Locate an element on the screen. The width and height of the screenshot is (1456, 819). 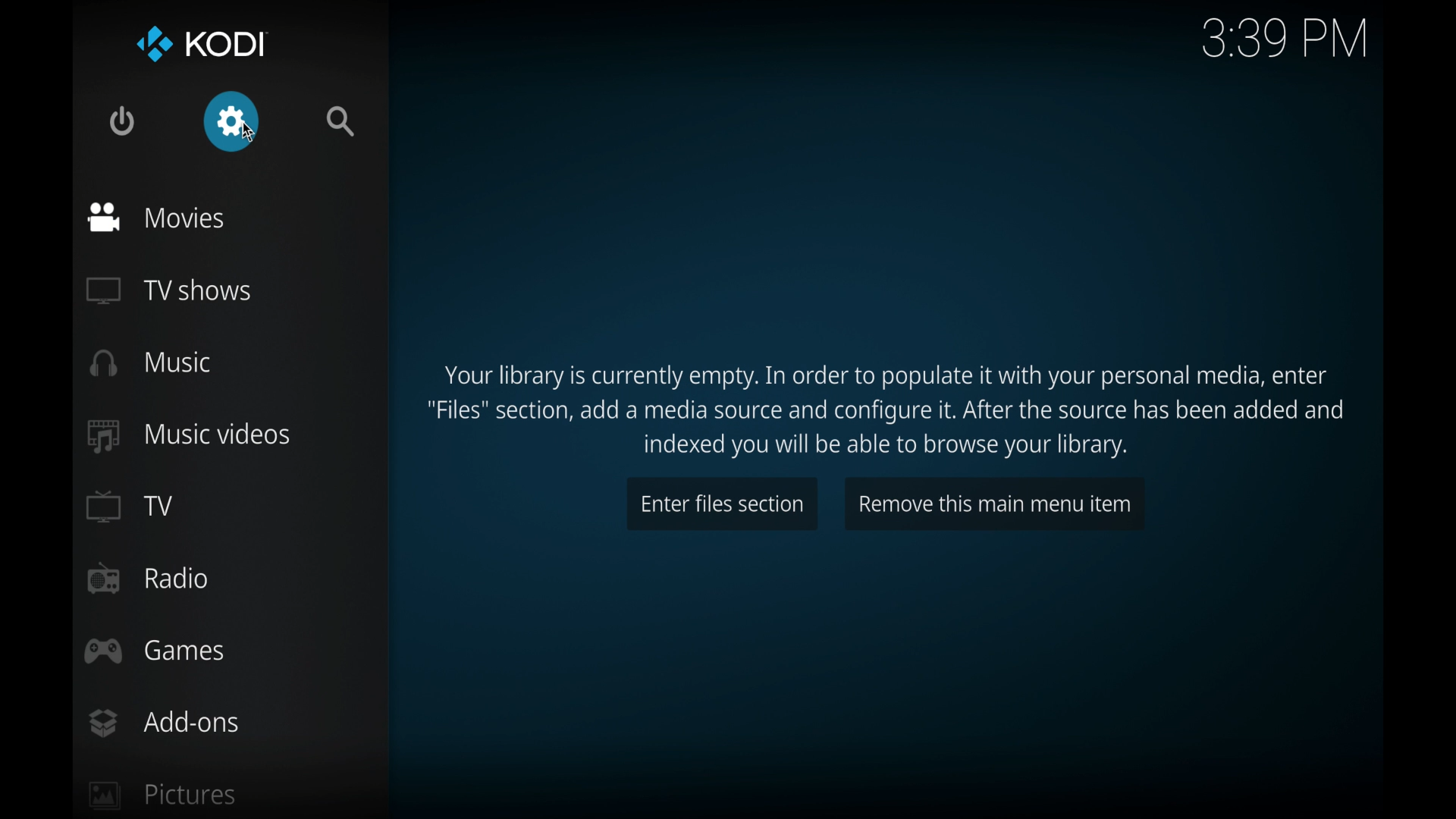
pictures is located at coordinates (161, 795).